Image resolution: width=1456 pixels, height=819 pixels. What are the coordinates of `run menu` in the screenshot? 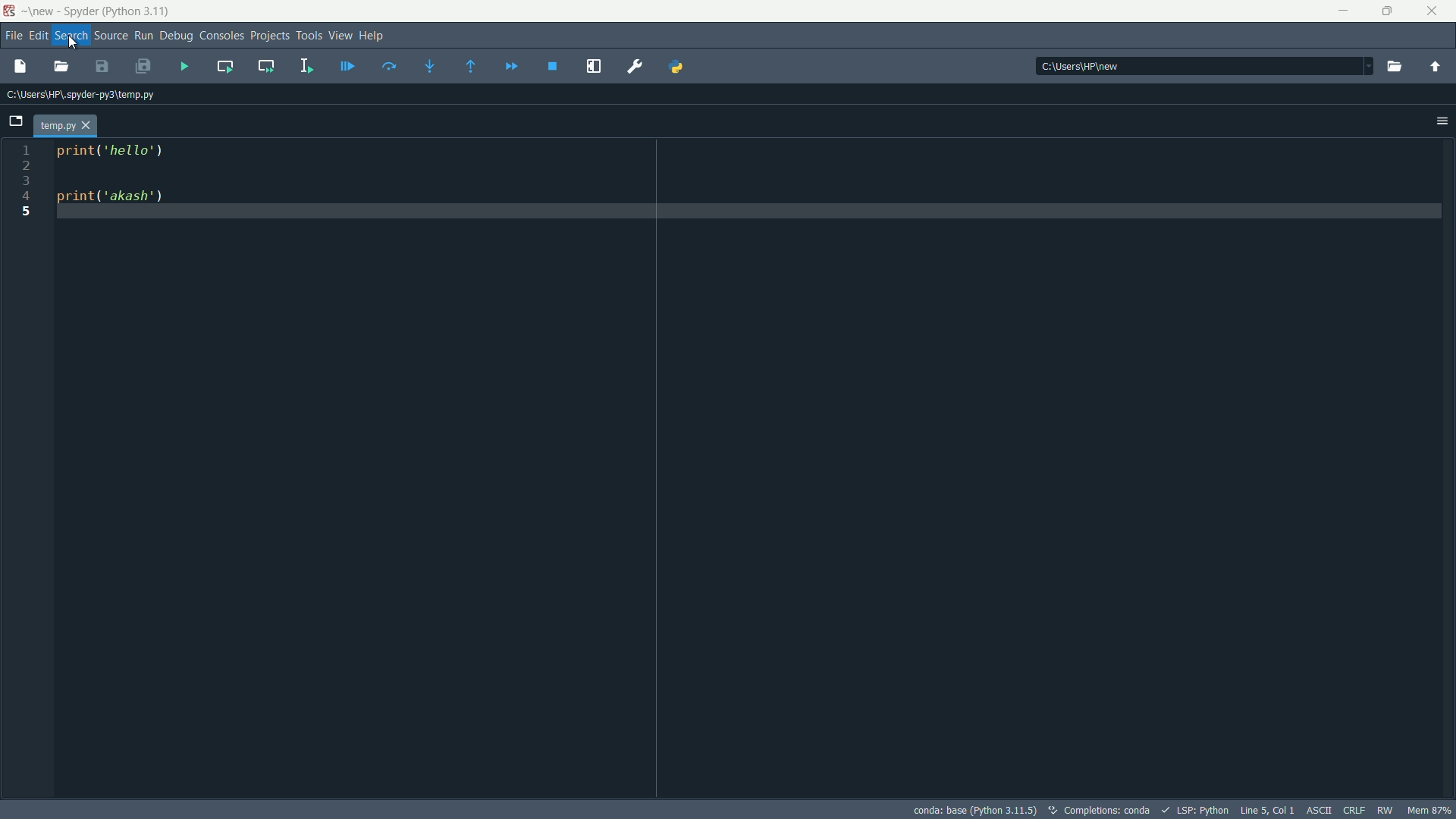 It's located at (144, 36).